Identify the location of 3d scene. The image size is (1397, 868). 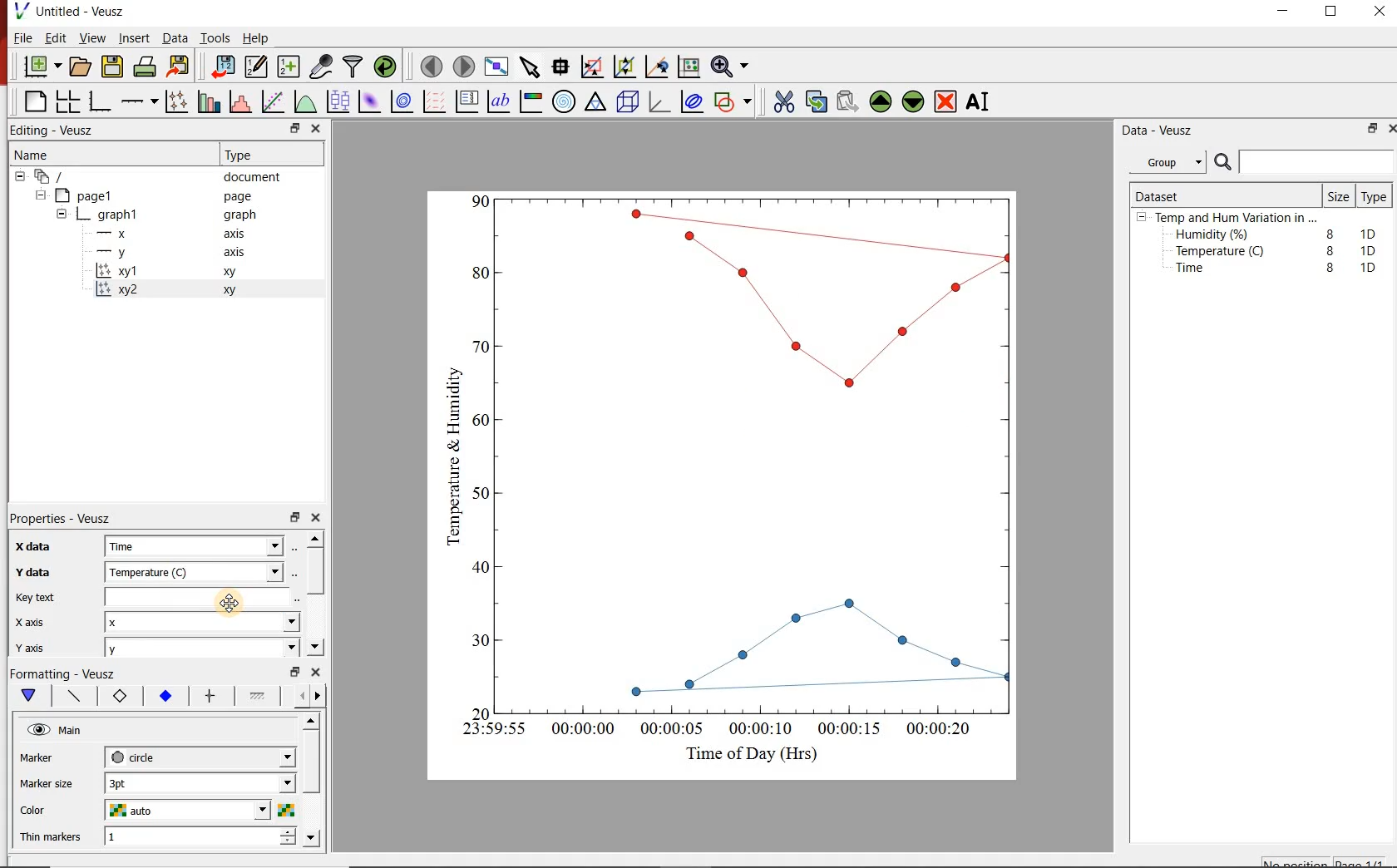
(629, 104).